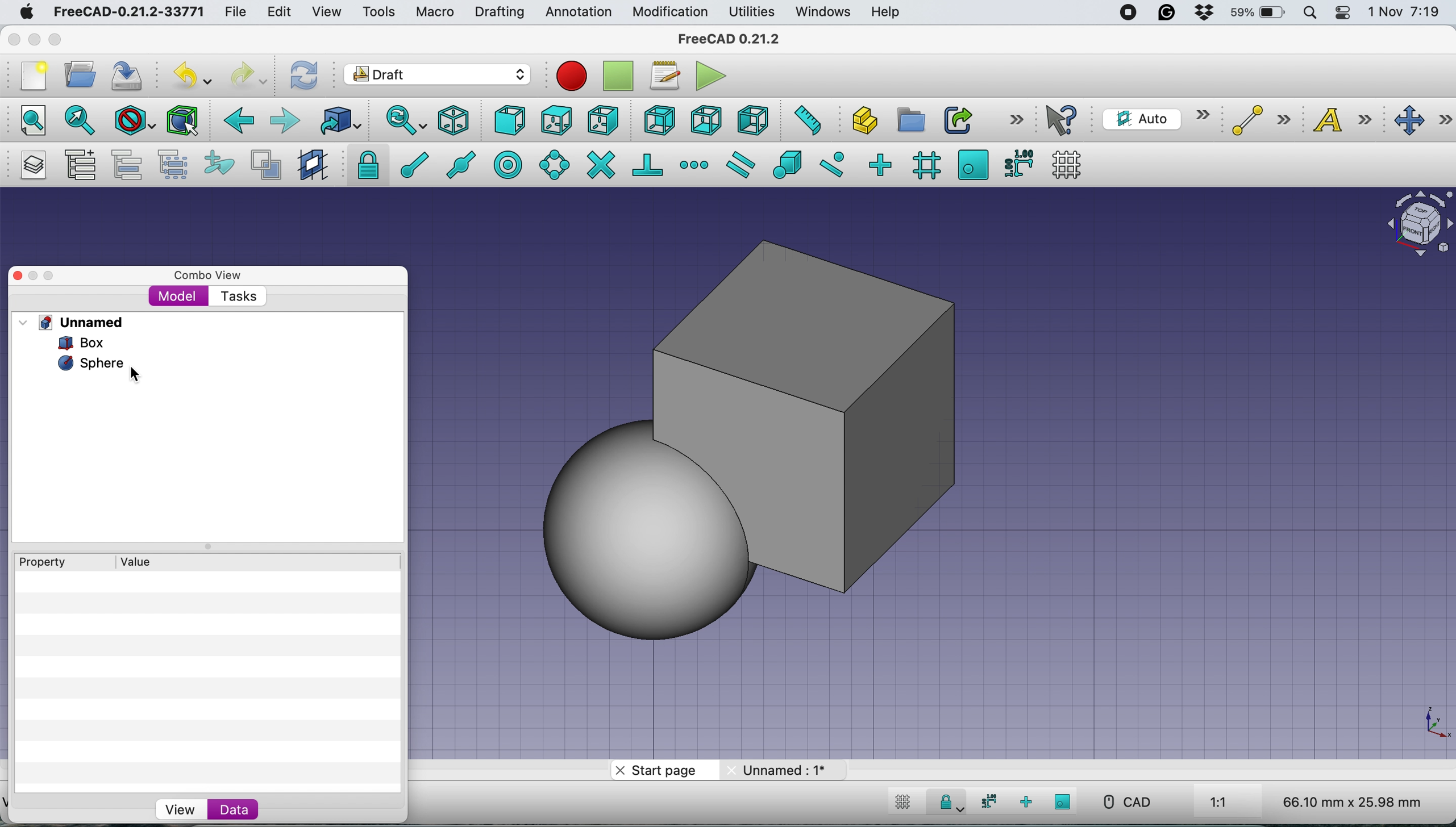  What do you see at coordinates (1027, 802) in the screenshot?
I see `snap ortho` at bounding box center [1027, 802].